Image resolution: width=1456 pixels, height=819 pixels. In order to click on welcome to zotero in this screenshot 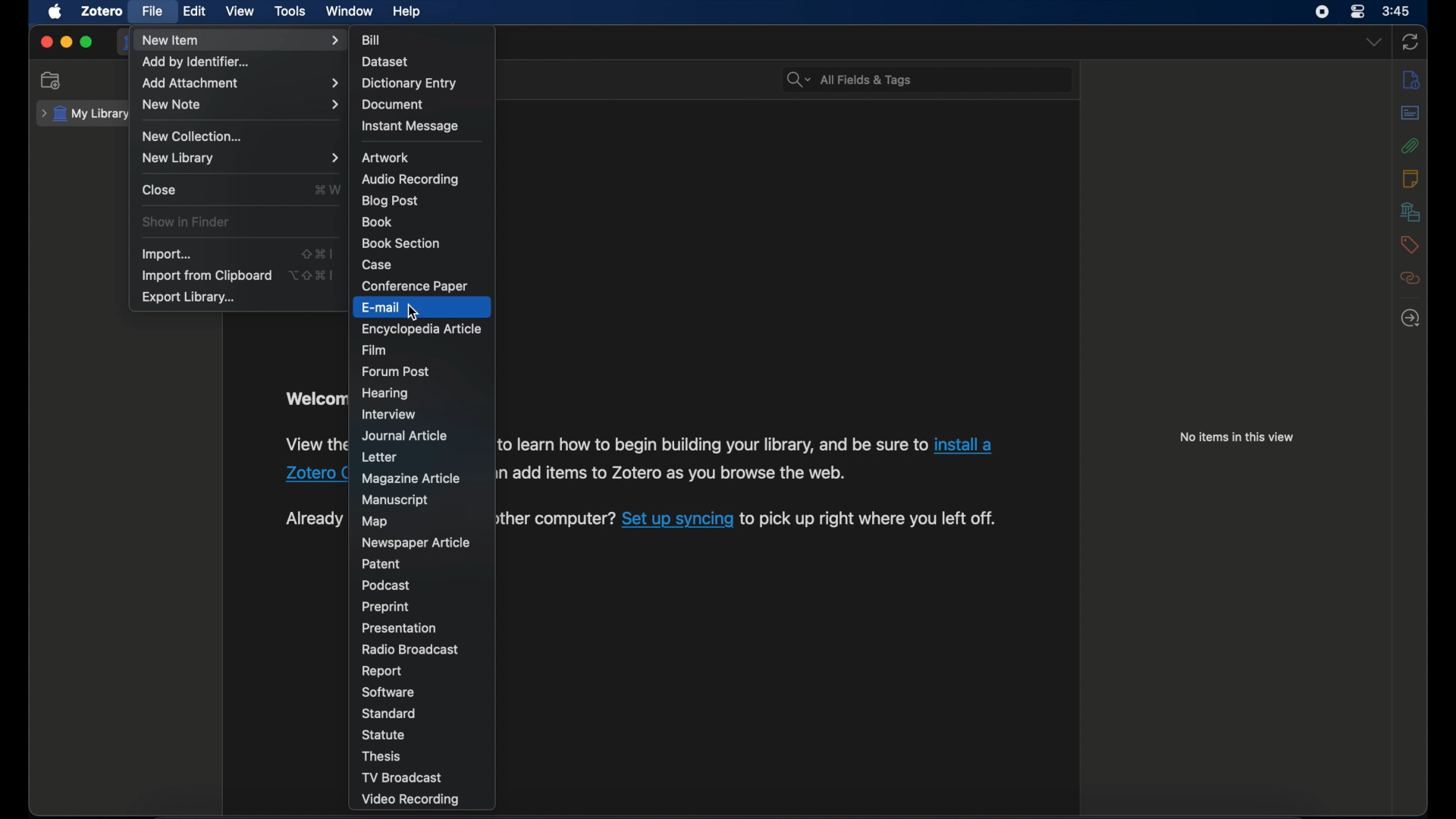, I will do `click(314, 399)`.